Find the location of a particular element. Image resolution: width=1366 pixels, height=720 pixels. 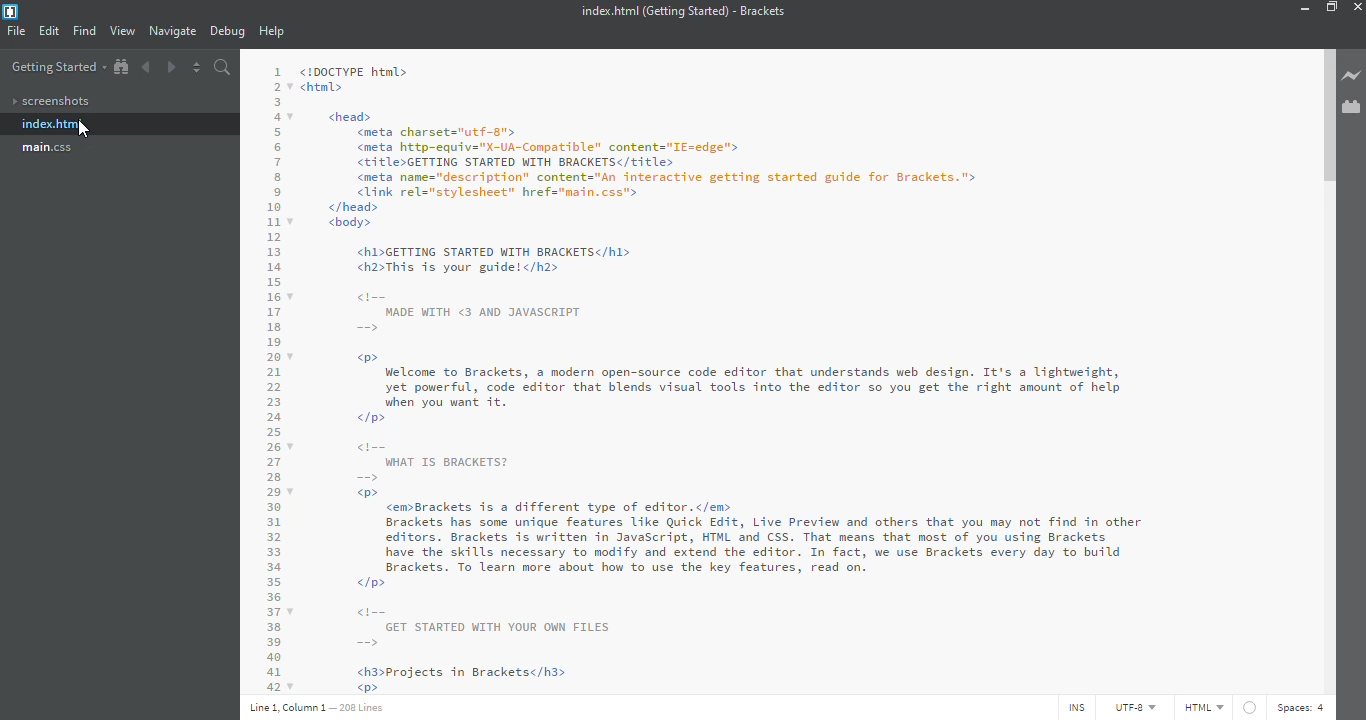

find is located at coordinates (85, 30).